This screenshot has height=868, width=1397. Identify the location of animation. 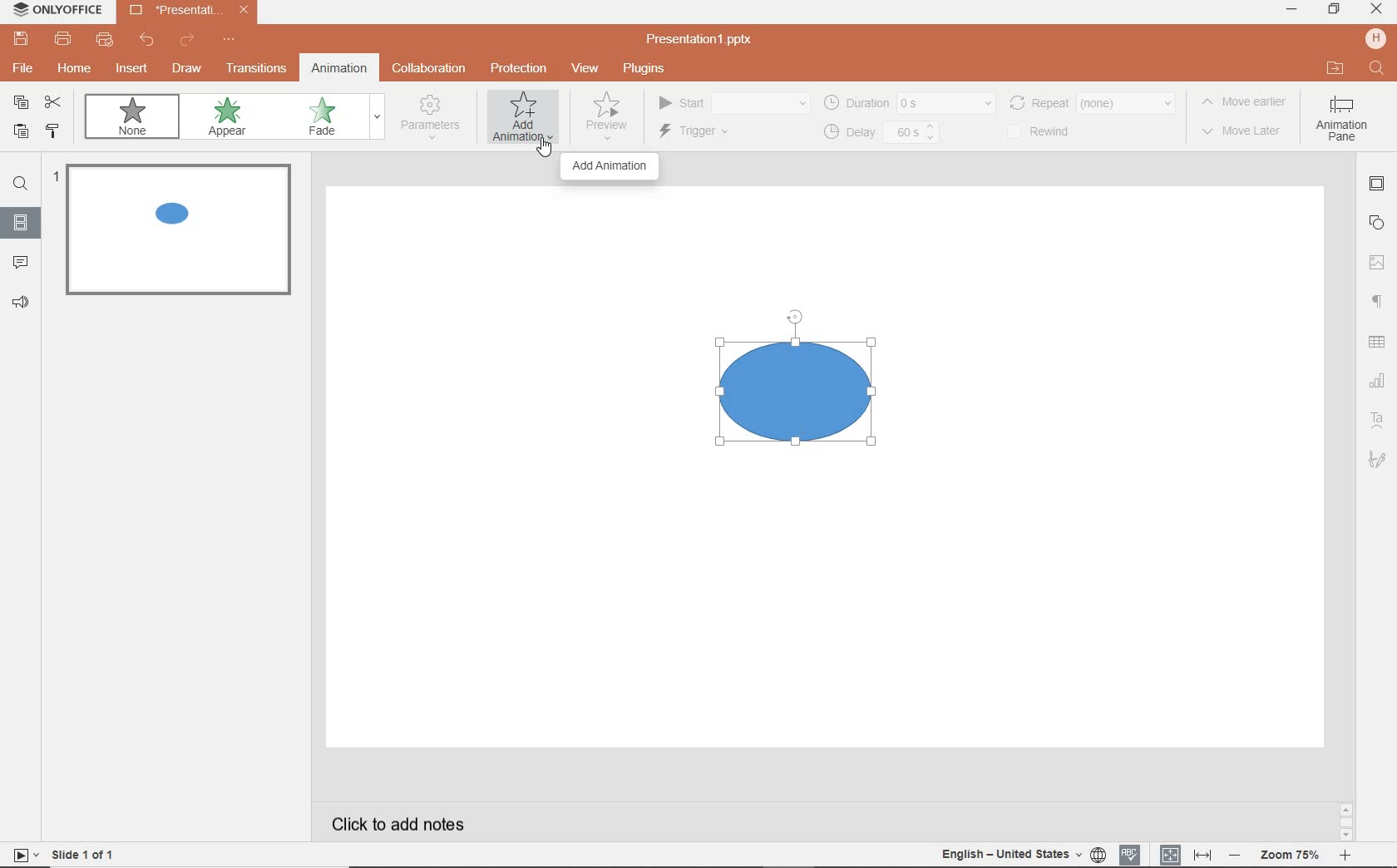
(338, 67).